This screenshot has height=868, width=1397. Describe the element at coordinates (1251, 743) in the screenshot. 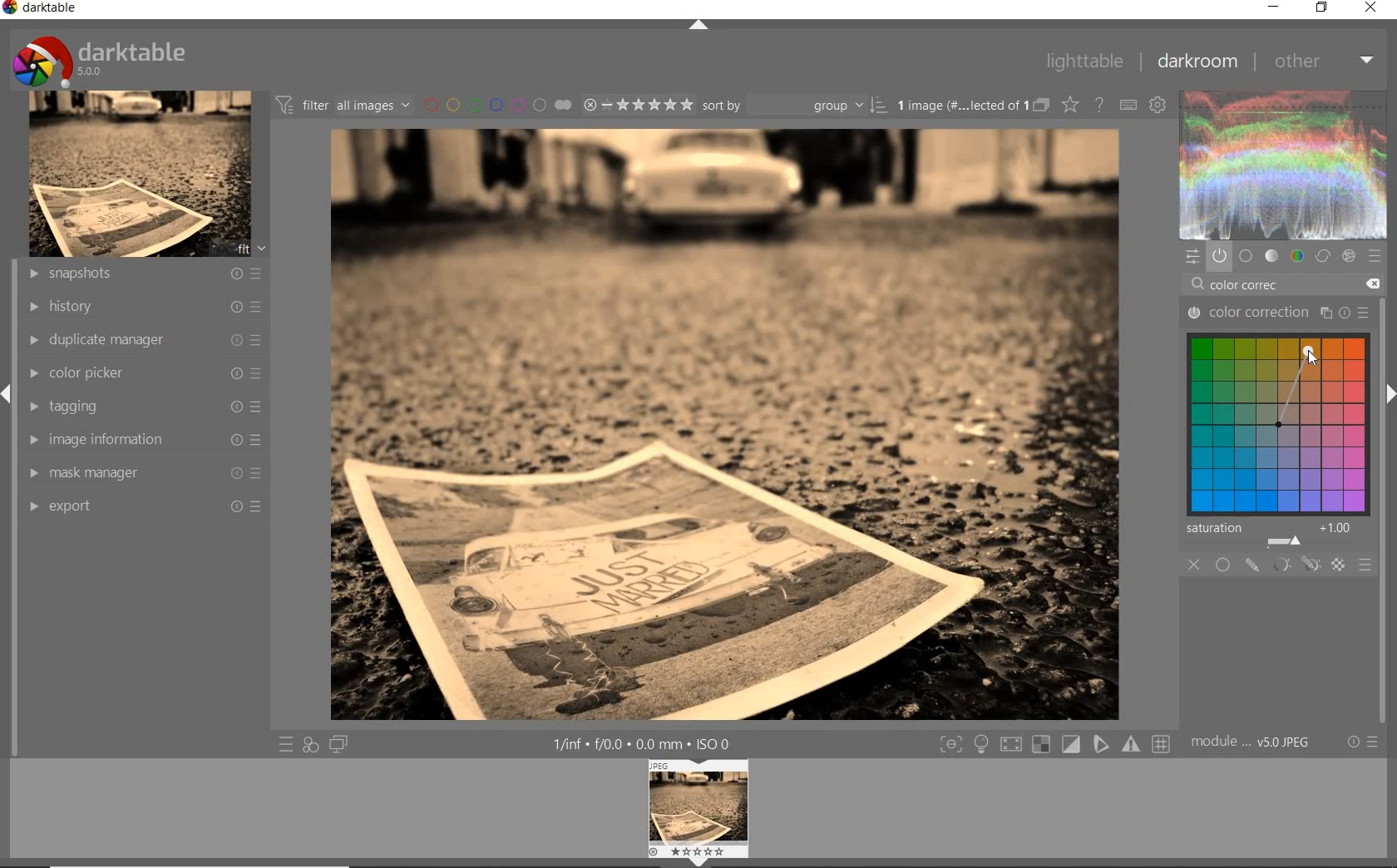

I see `model order` at that location.